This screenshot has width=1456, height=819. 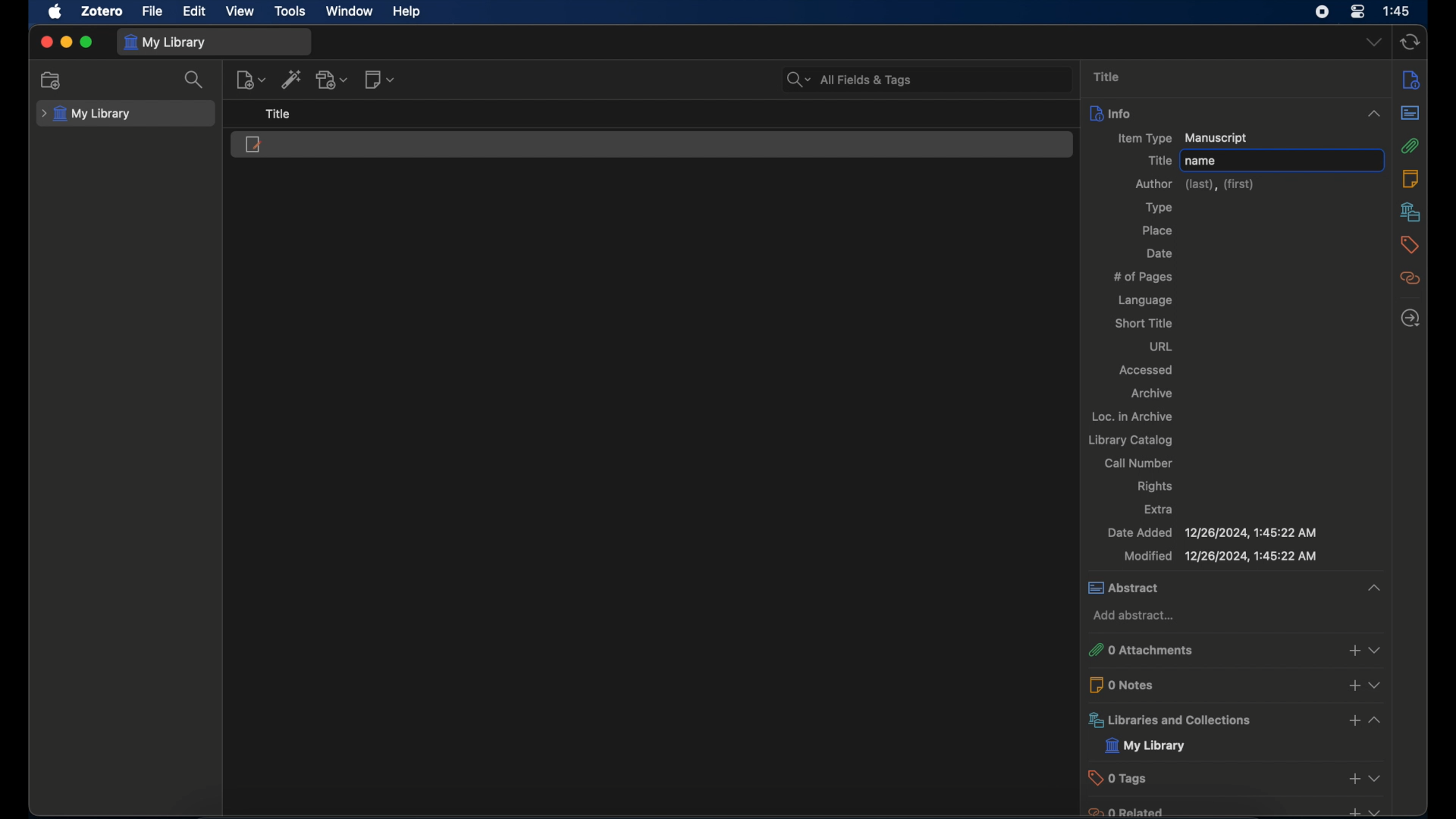 I want to click on new collection, so click(x=53, y=80).